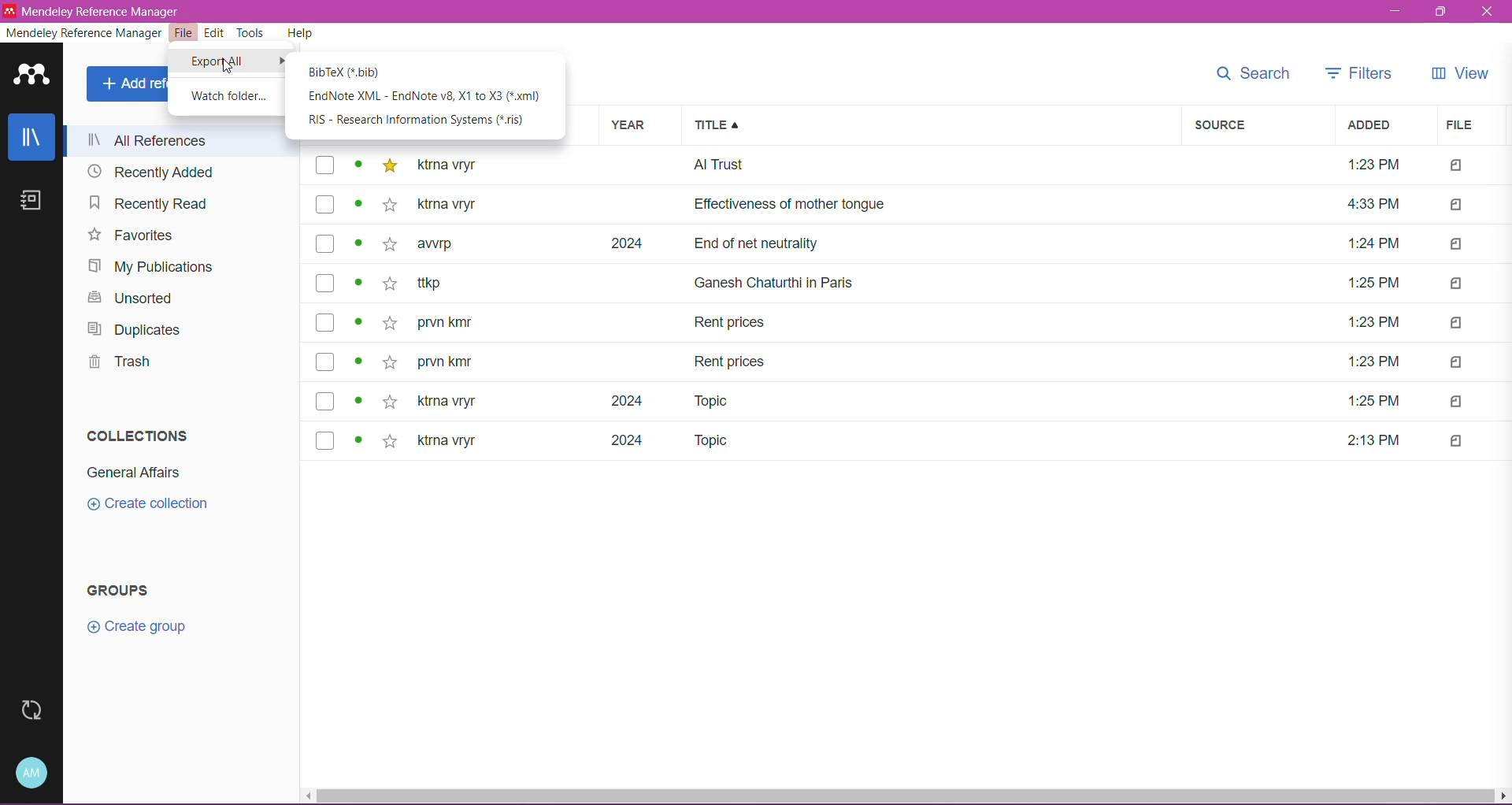 This screenshot has height=805, width=1512. What do you see at coordinates (229, 67) in the screenshot?
I see `cursor` at bounding box center [229, 67].